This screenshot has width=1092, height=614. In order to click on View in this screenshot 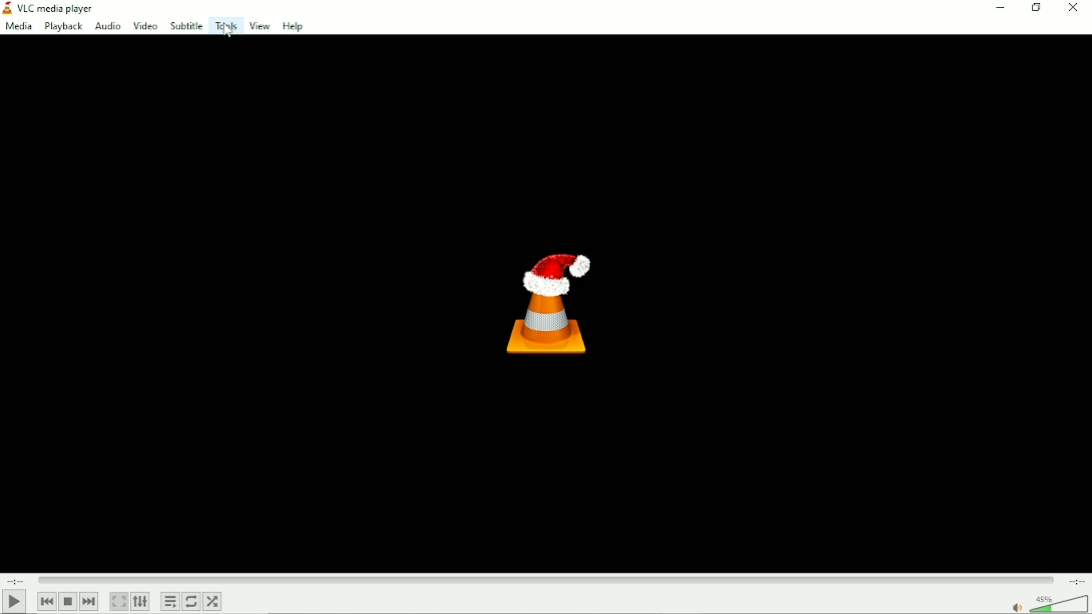, I will do `click(259, 25)`.